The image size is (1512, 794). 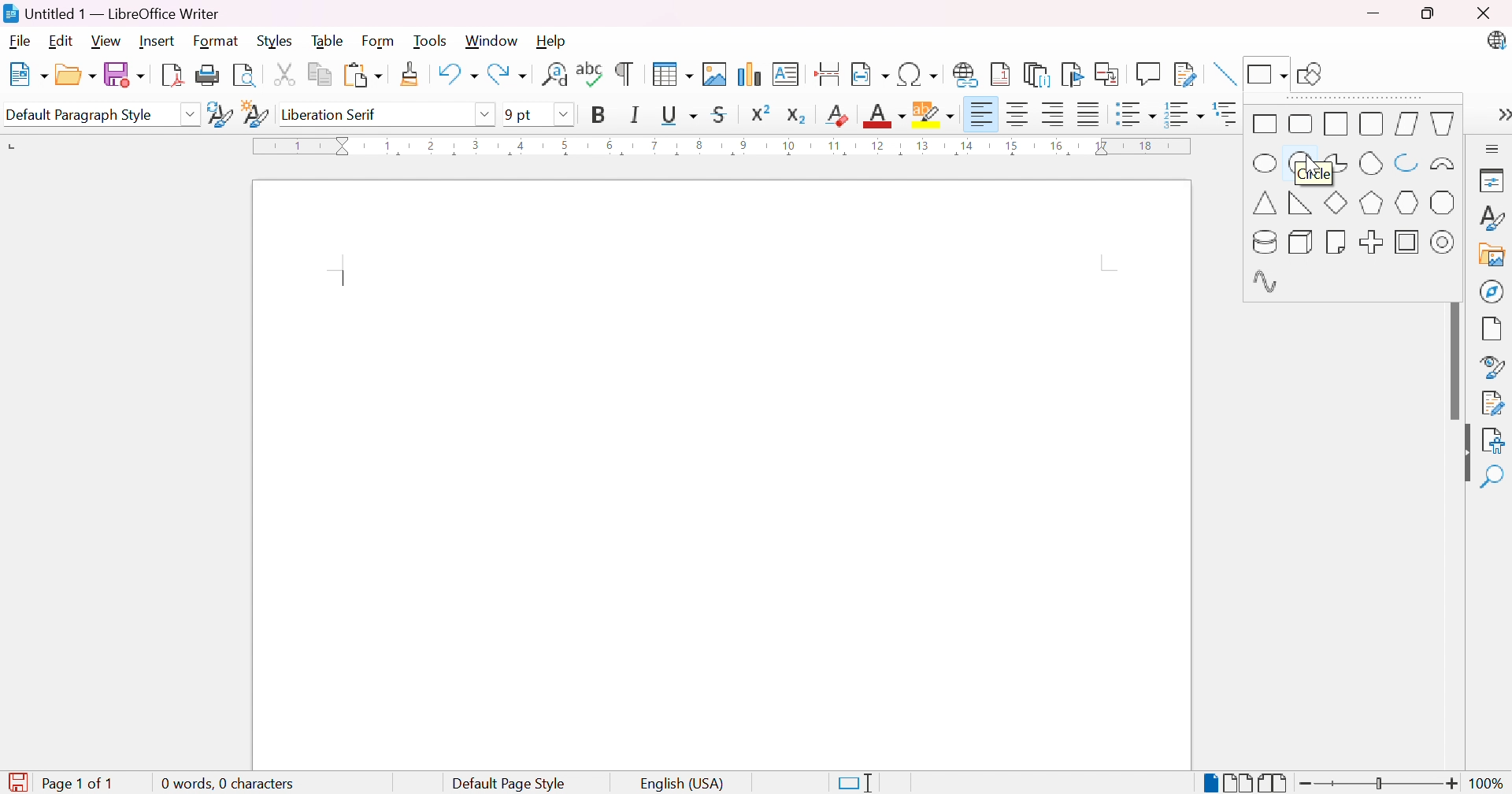 What do you see at coordinates (713, 75) in the screenshot?
I see `Insert image` at bounding box center [713, 75].